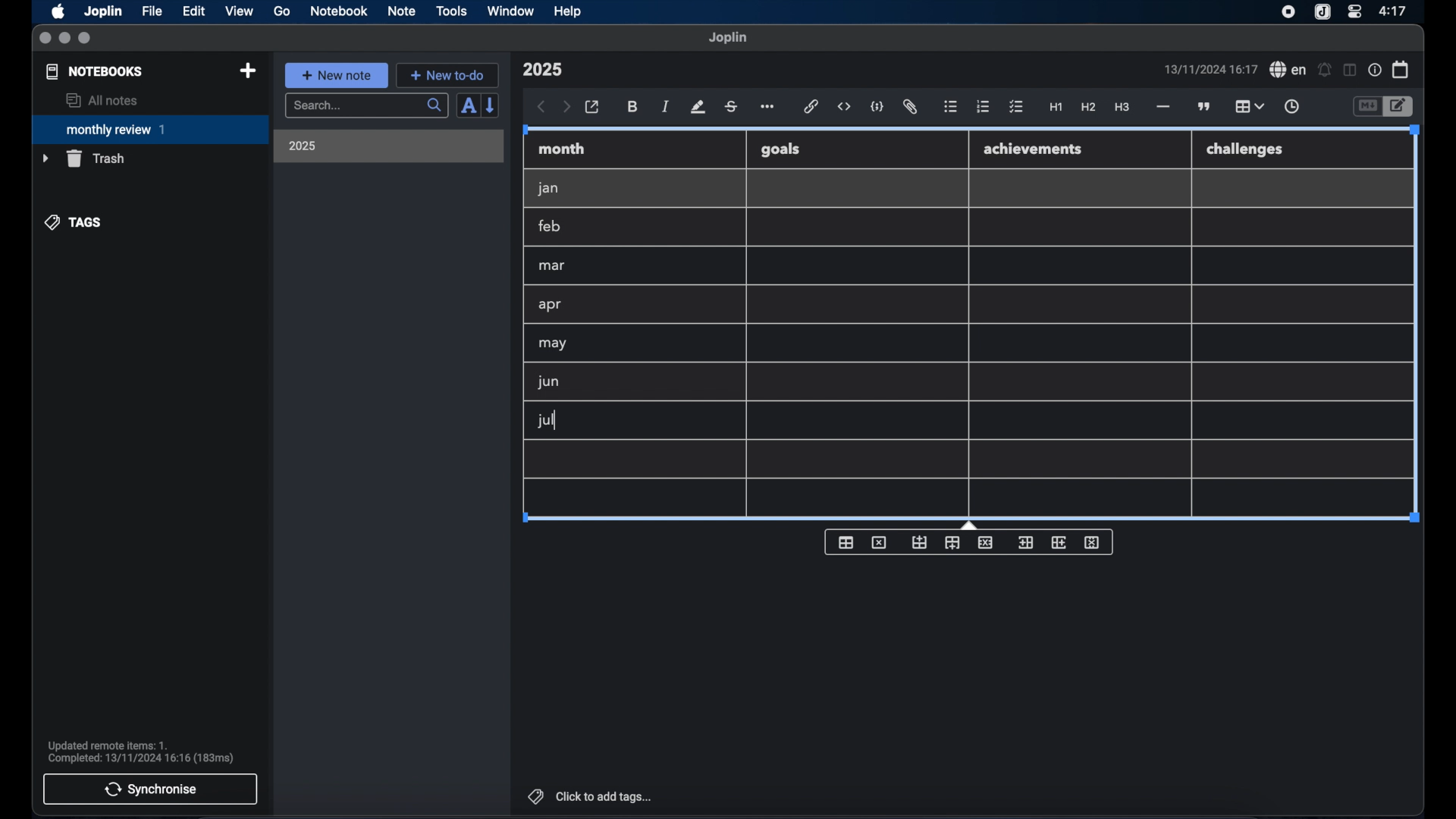  What do you see at coordinates (1210, 69) in the screenshot?
I see `date` at bounding box center [1210, 69].